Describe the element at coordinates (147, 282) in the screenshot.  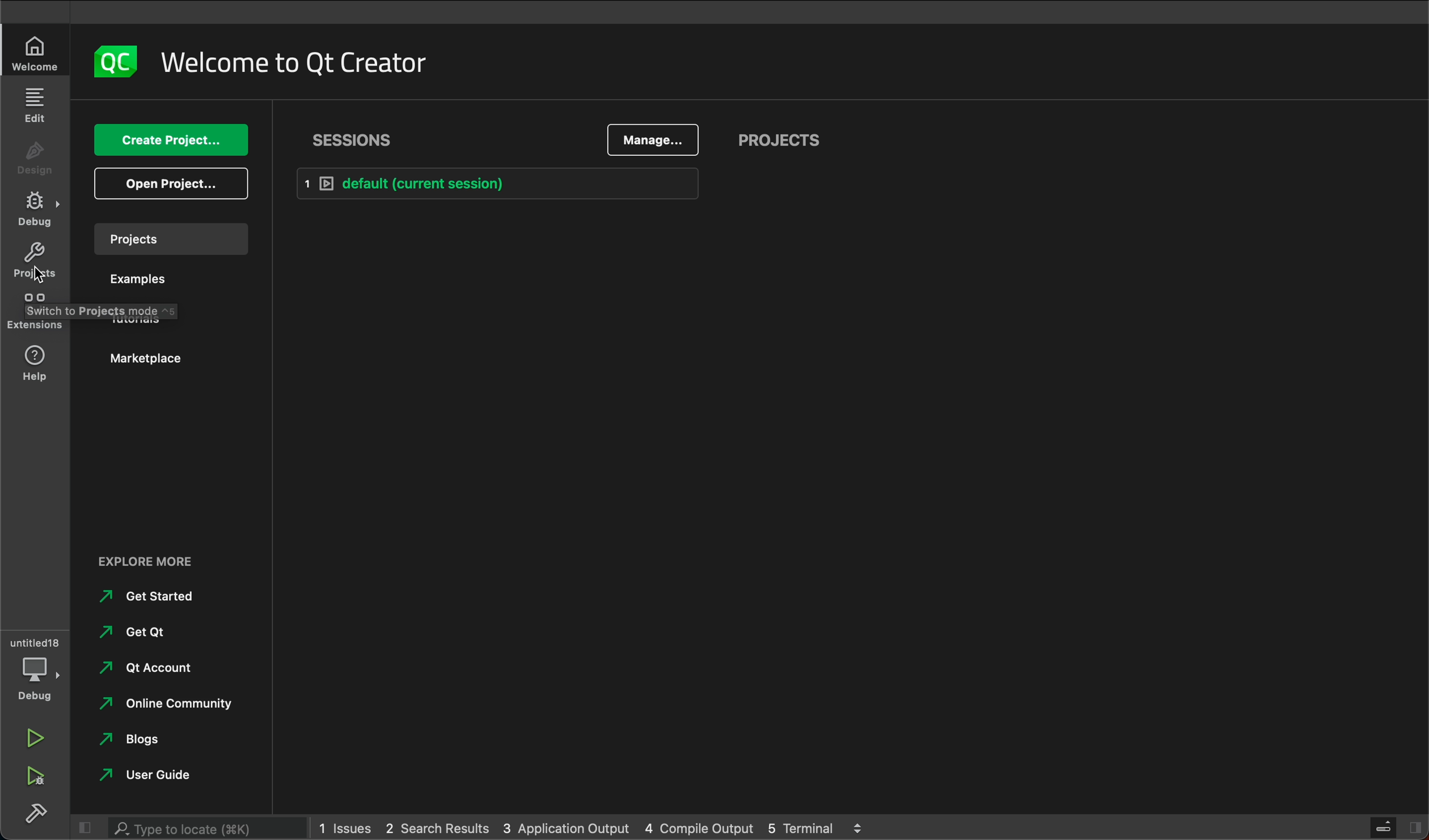
I see `examples` at that location.